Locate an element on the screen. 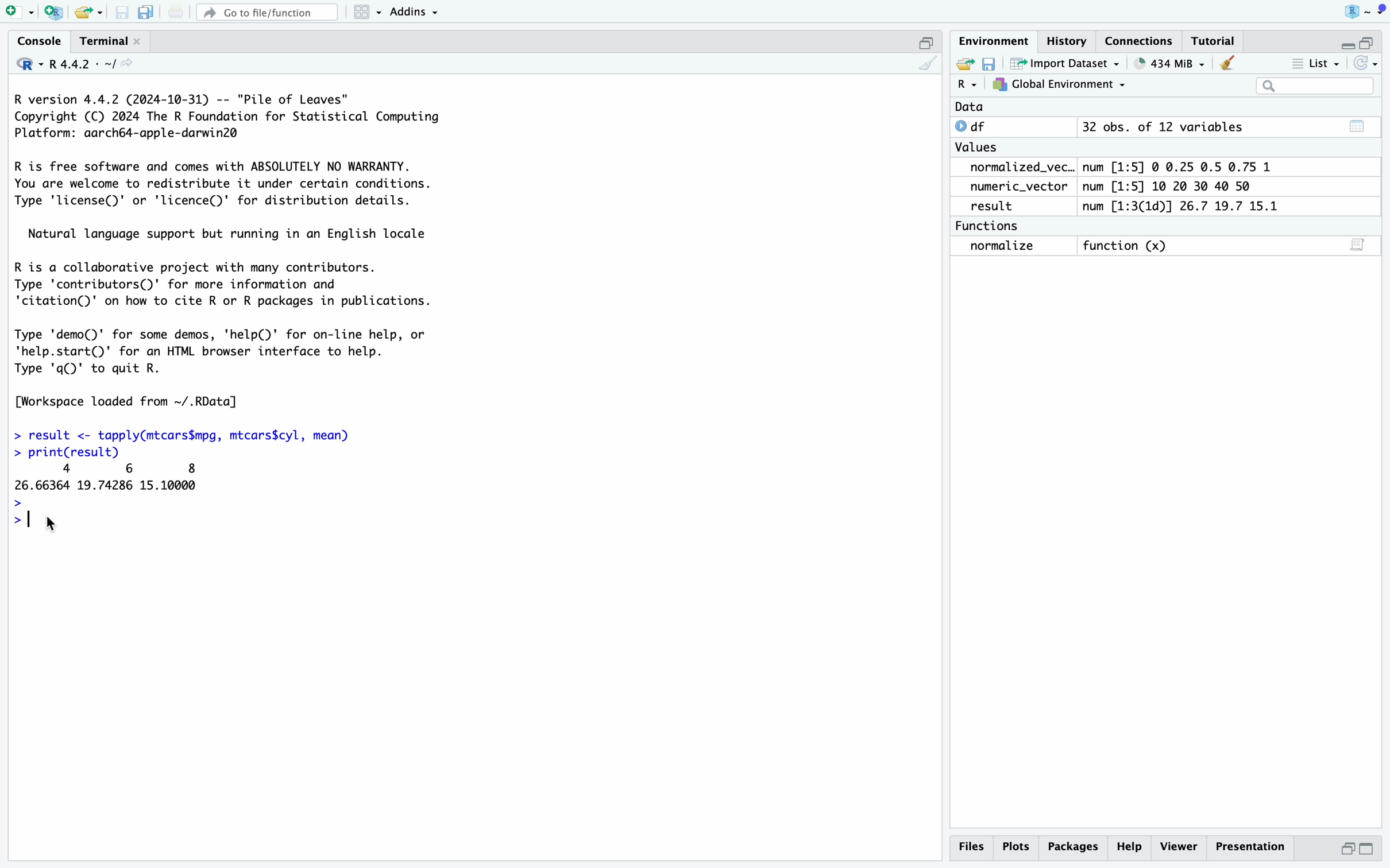 The width and height of the screenshot is (1390, 868). num [1:3(1d)] 26.7 19.7 15.1 is located at coordinates (1181, 206).